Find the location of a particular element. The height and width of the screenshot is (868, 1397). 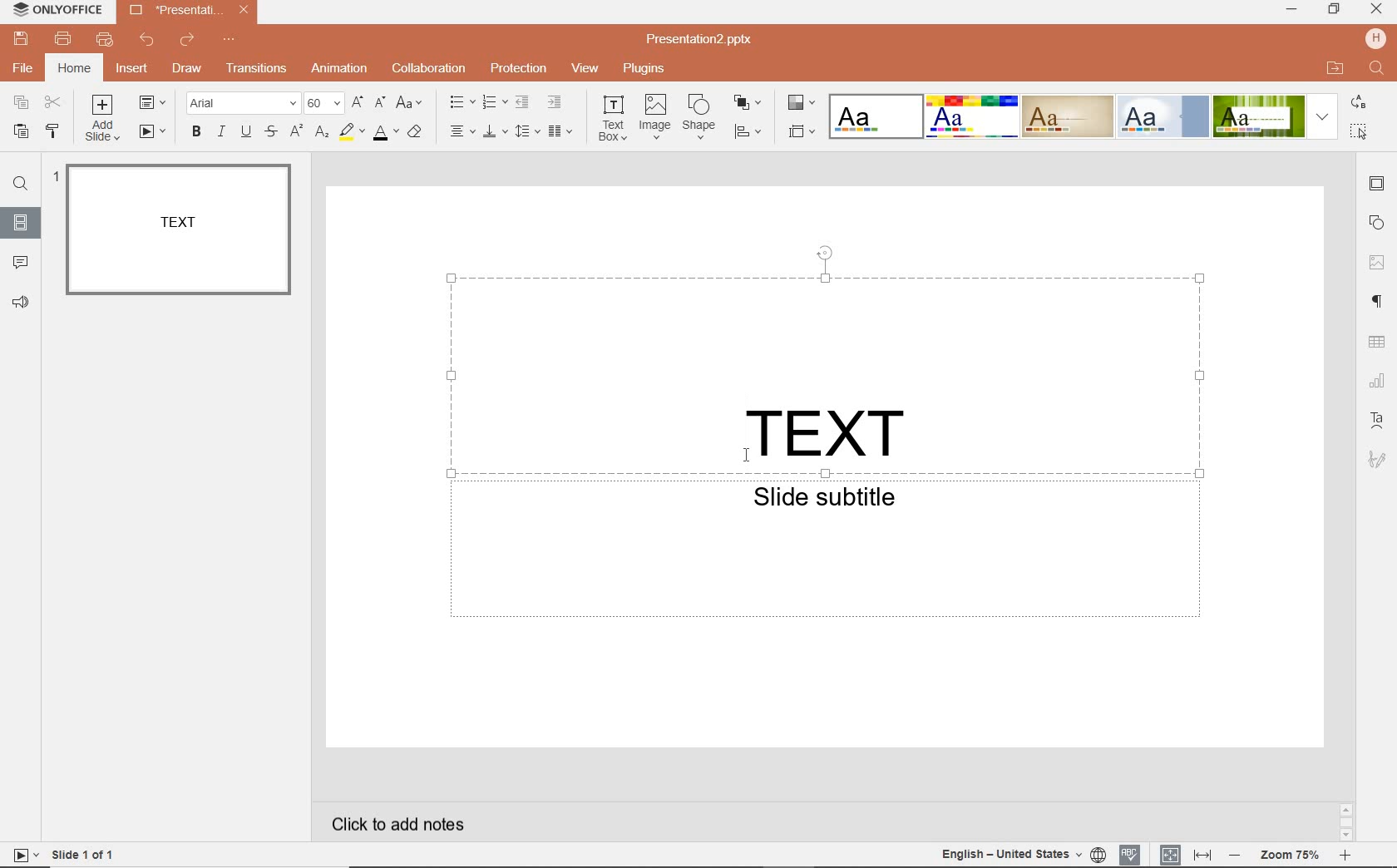

FONT COLOR is located at coordinates (384, 133).